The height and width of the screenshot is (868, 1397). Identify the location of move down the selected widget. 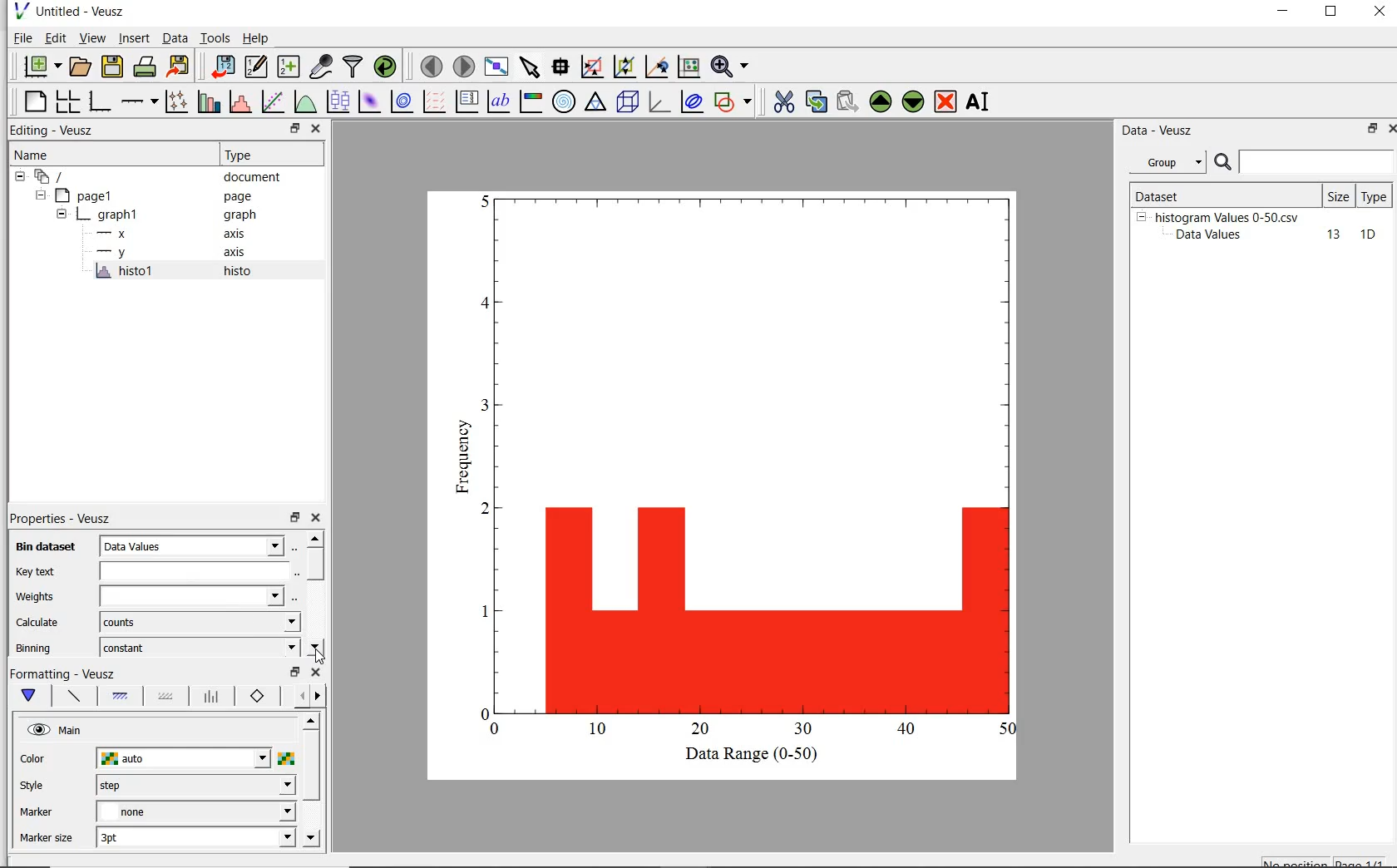
(913, 104).